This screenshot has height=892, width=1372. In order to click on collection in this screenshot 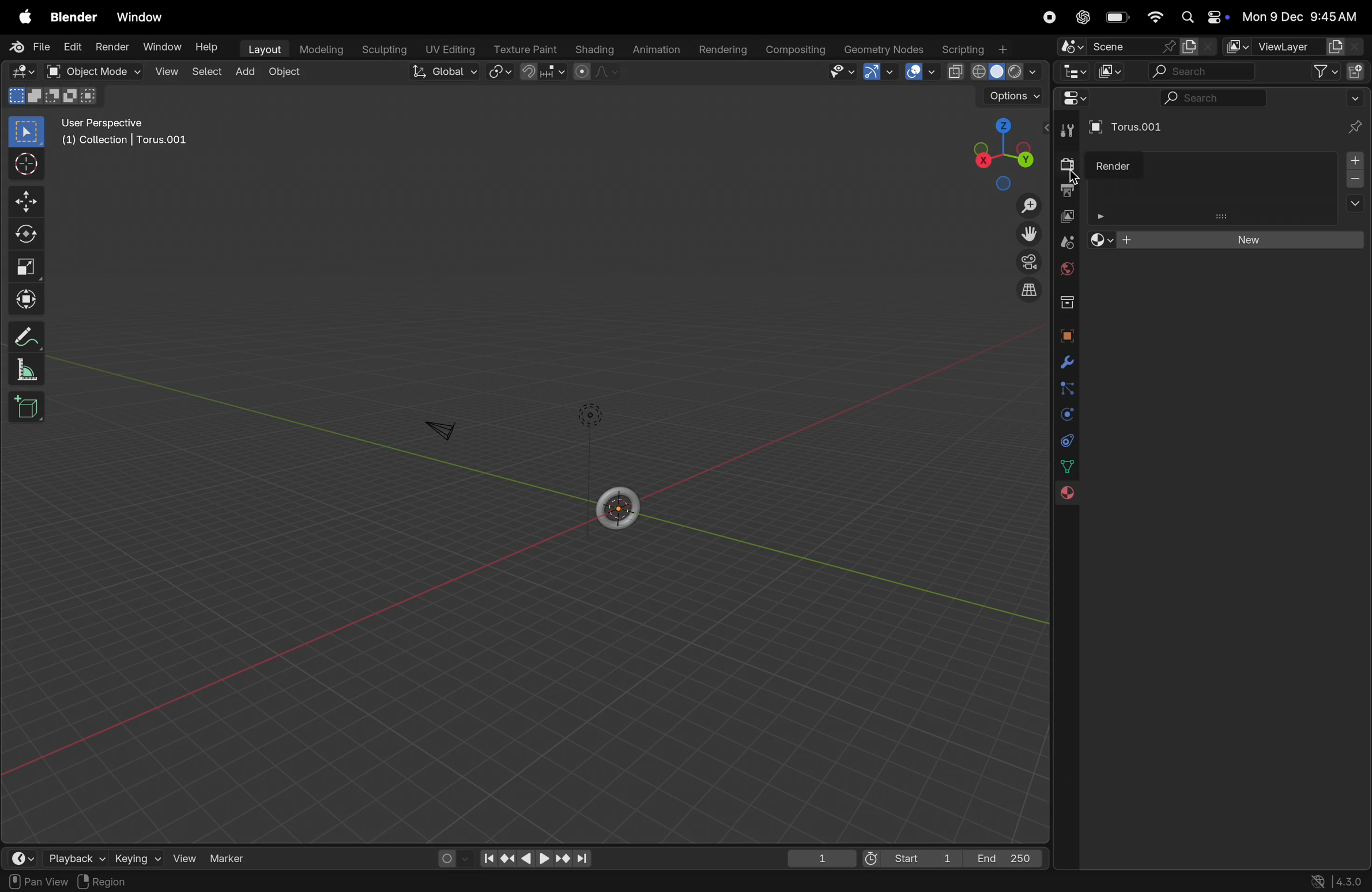, I will do `click(1064, 303)`.